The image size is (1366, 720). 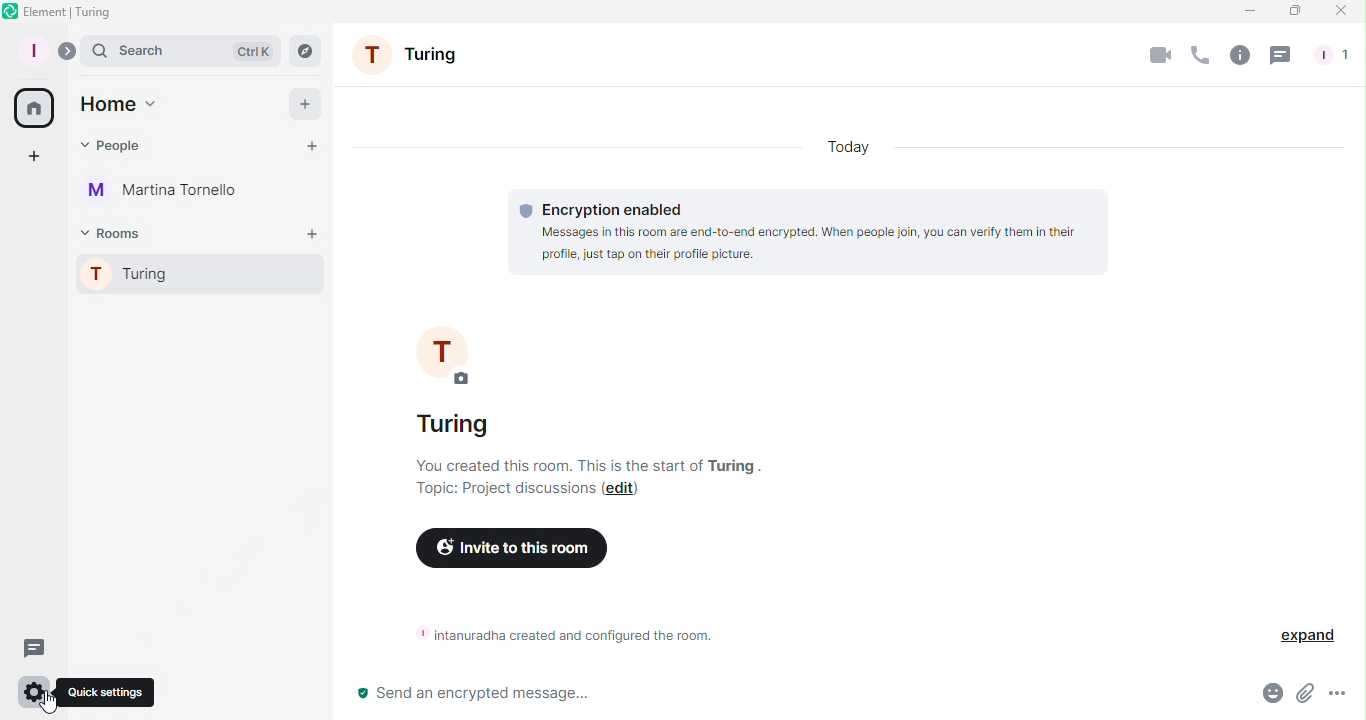 I want to click on turing, so click(x=735, y=465).